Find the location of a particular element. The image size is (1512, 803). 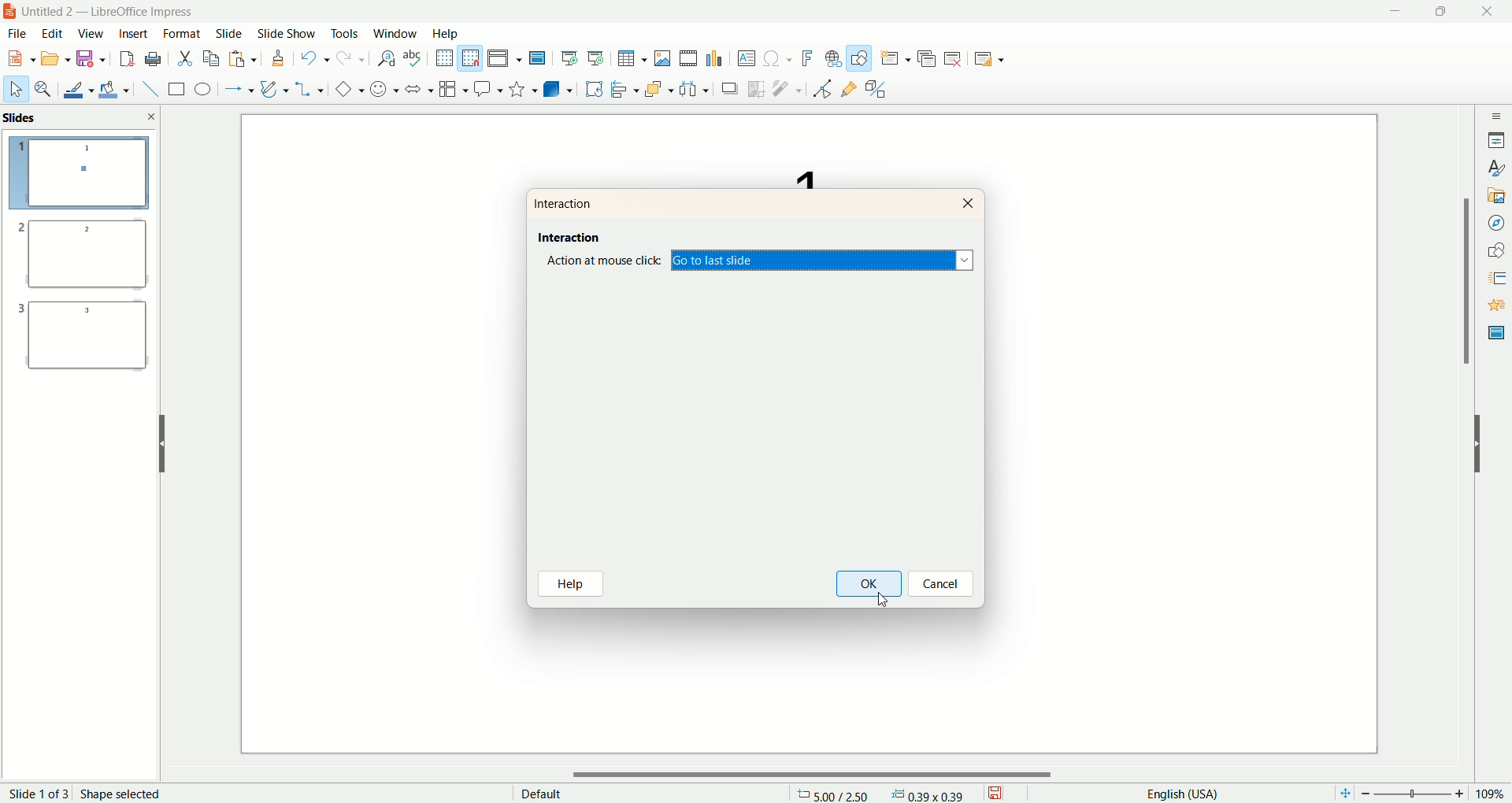

title is located at coordinates (116, 12).